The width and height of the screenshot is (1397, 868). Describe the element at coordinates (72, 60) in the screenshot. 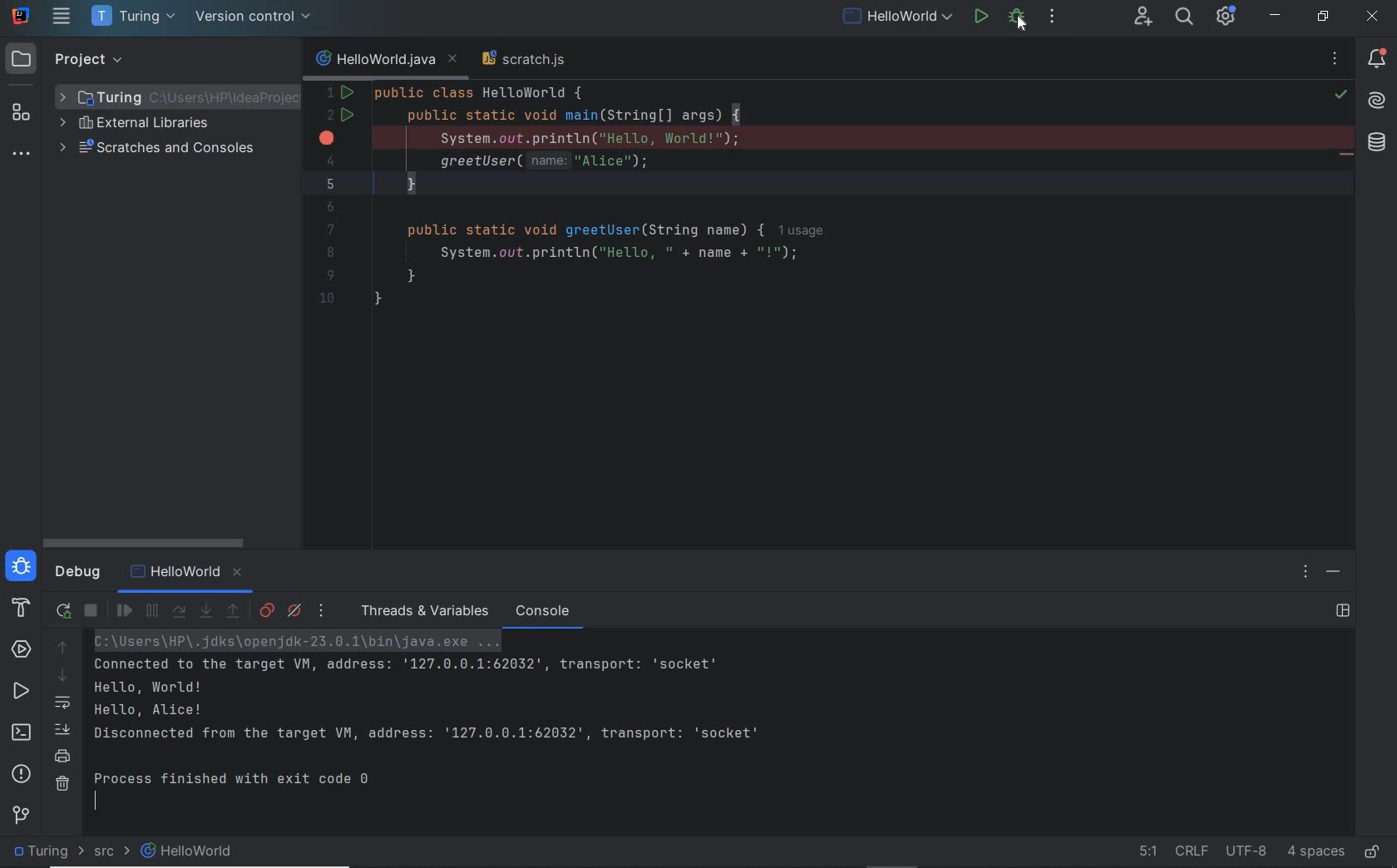

I see `project` at that location.